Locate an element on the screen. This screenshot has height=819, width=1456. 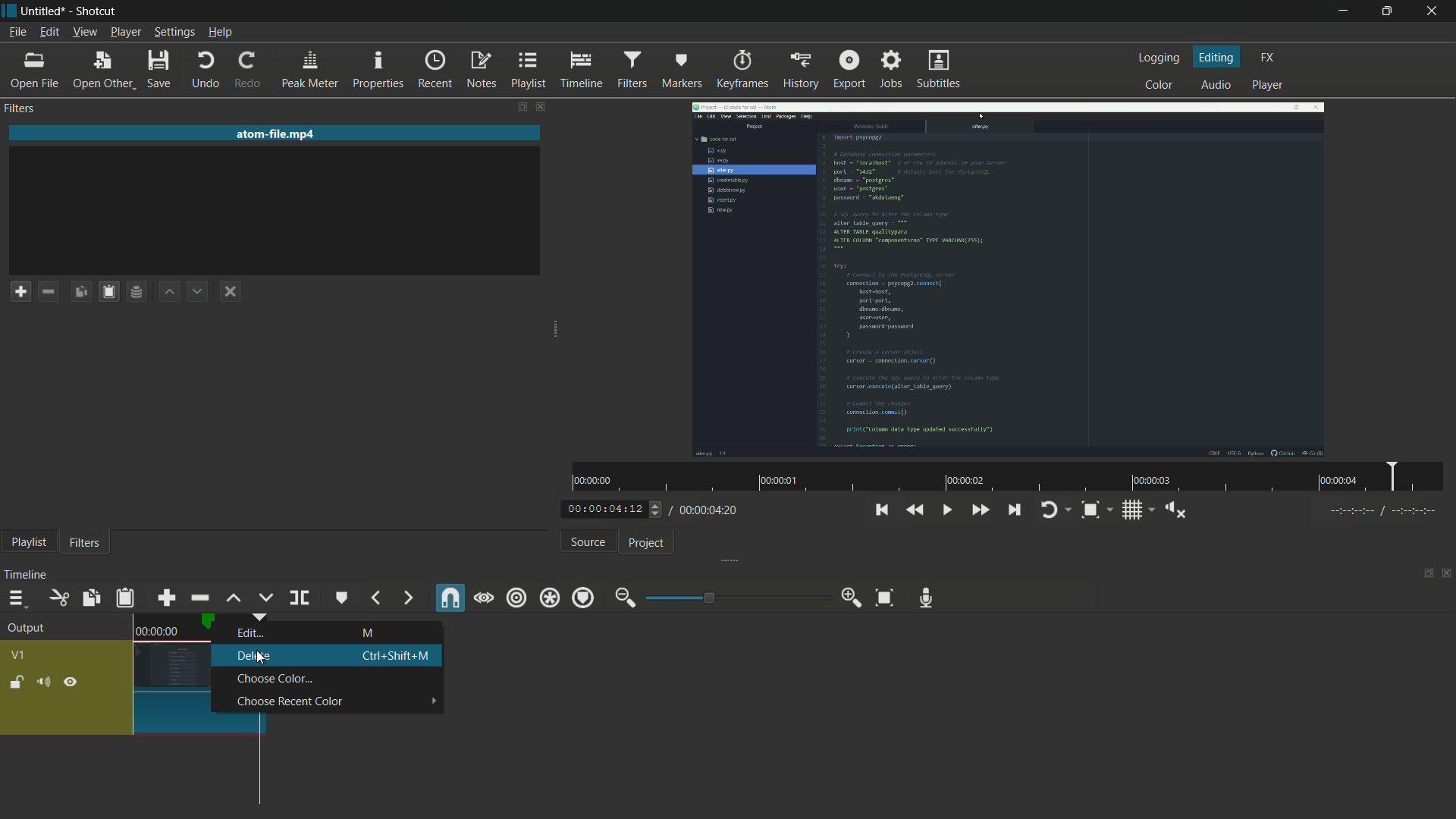
remove filter is located at coordinates (49, 293).